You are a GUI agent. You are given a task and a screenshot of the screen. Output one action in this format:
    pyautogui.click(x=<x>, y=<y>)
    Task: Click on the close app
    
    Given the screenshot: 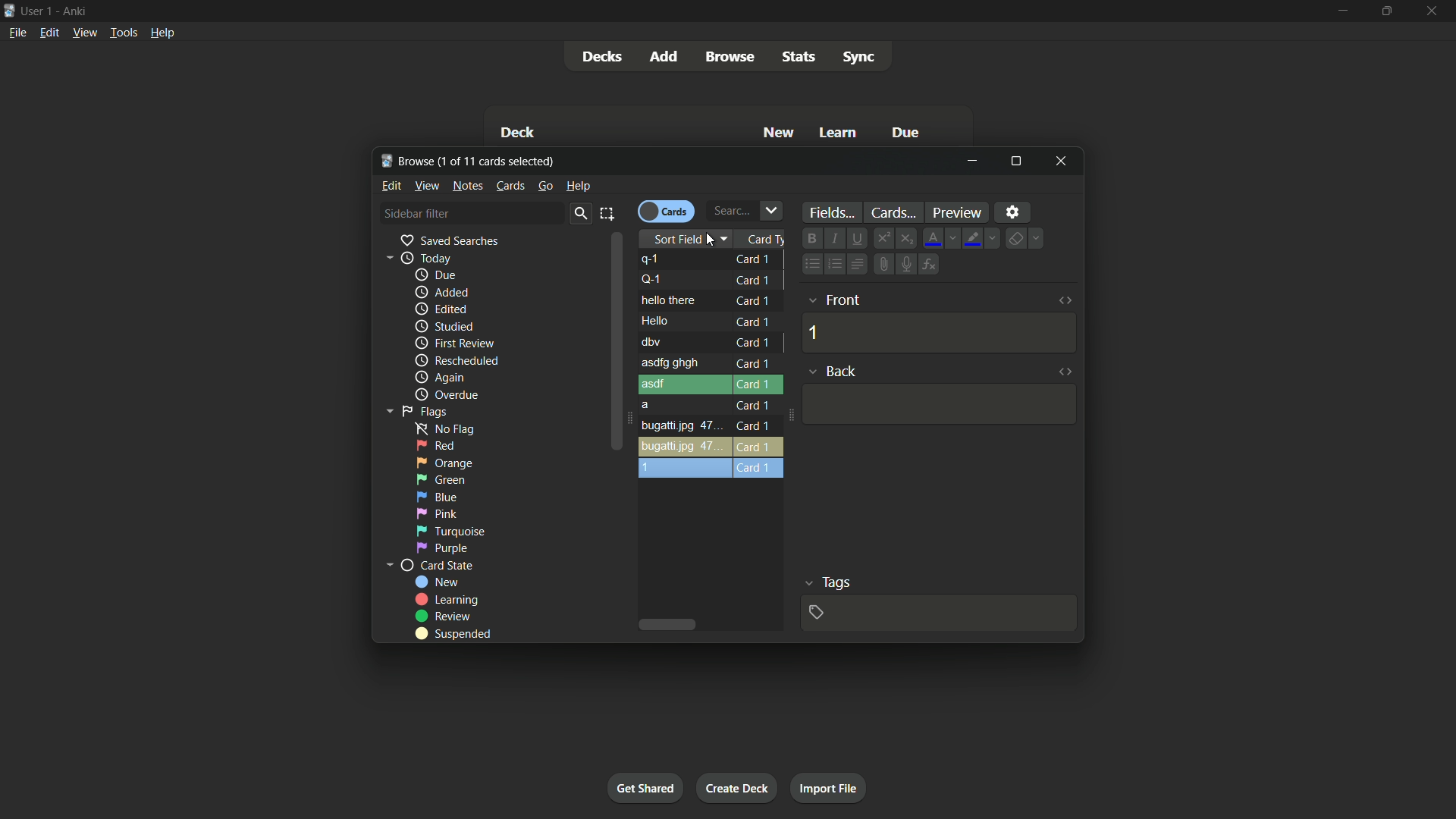 What is the action you would take?
    pyautogui.click(x=1434, y=11)
    